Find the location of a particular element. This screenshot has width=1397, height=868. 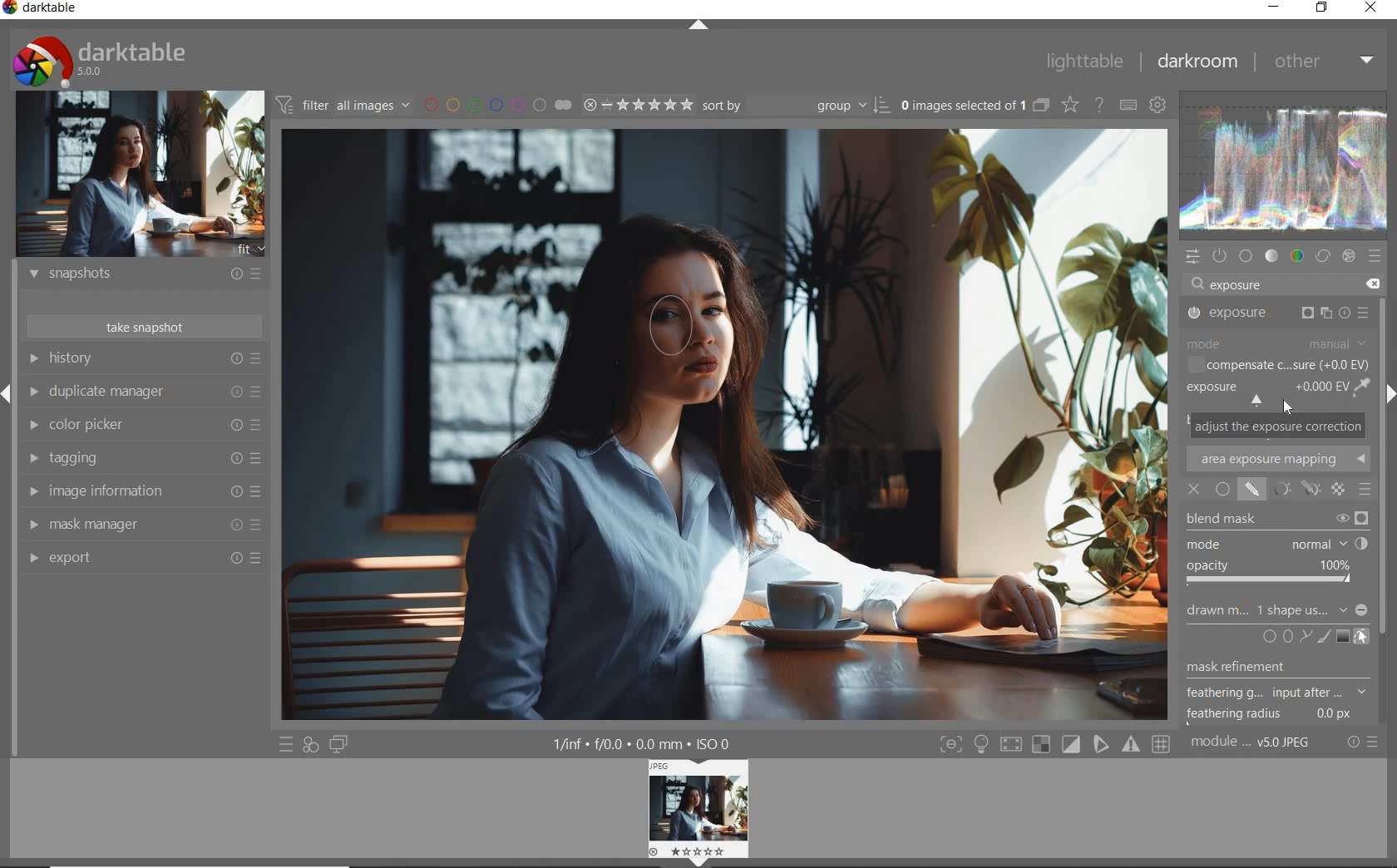

filter by image color is located at coordinates (498, 105).